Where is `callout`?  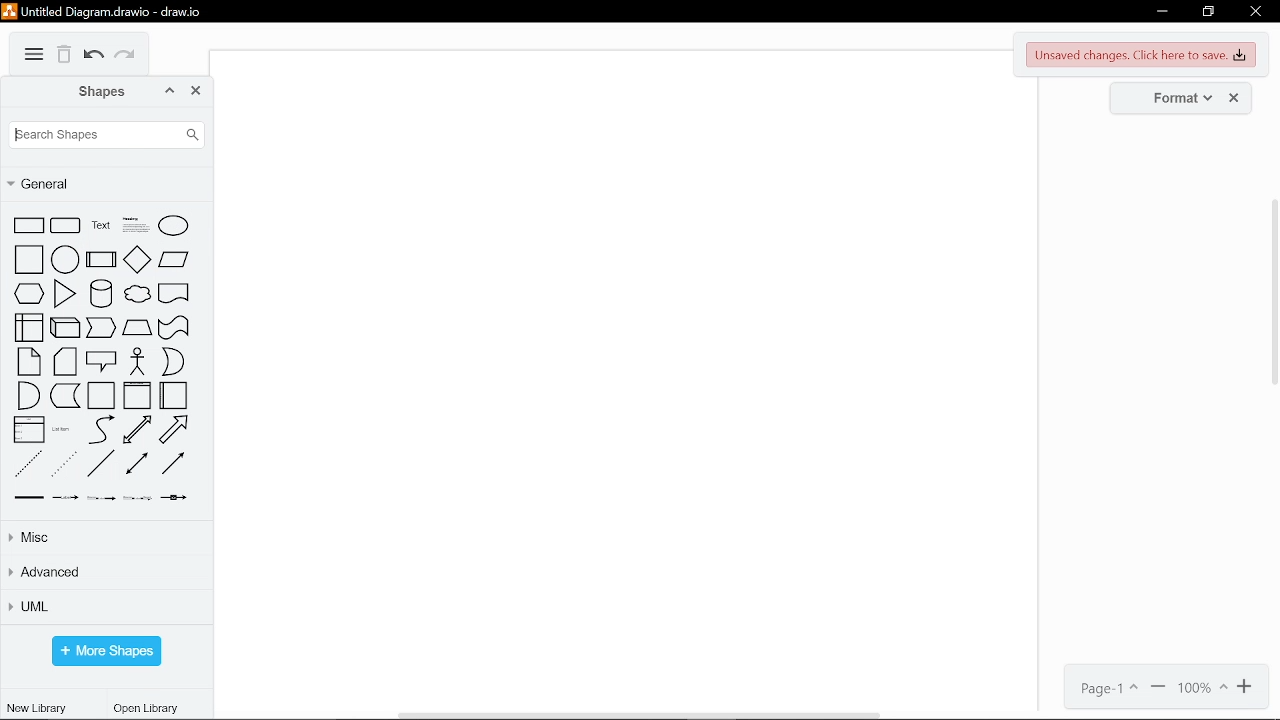
callout is located at coordinates (101, 363).